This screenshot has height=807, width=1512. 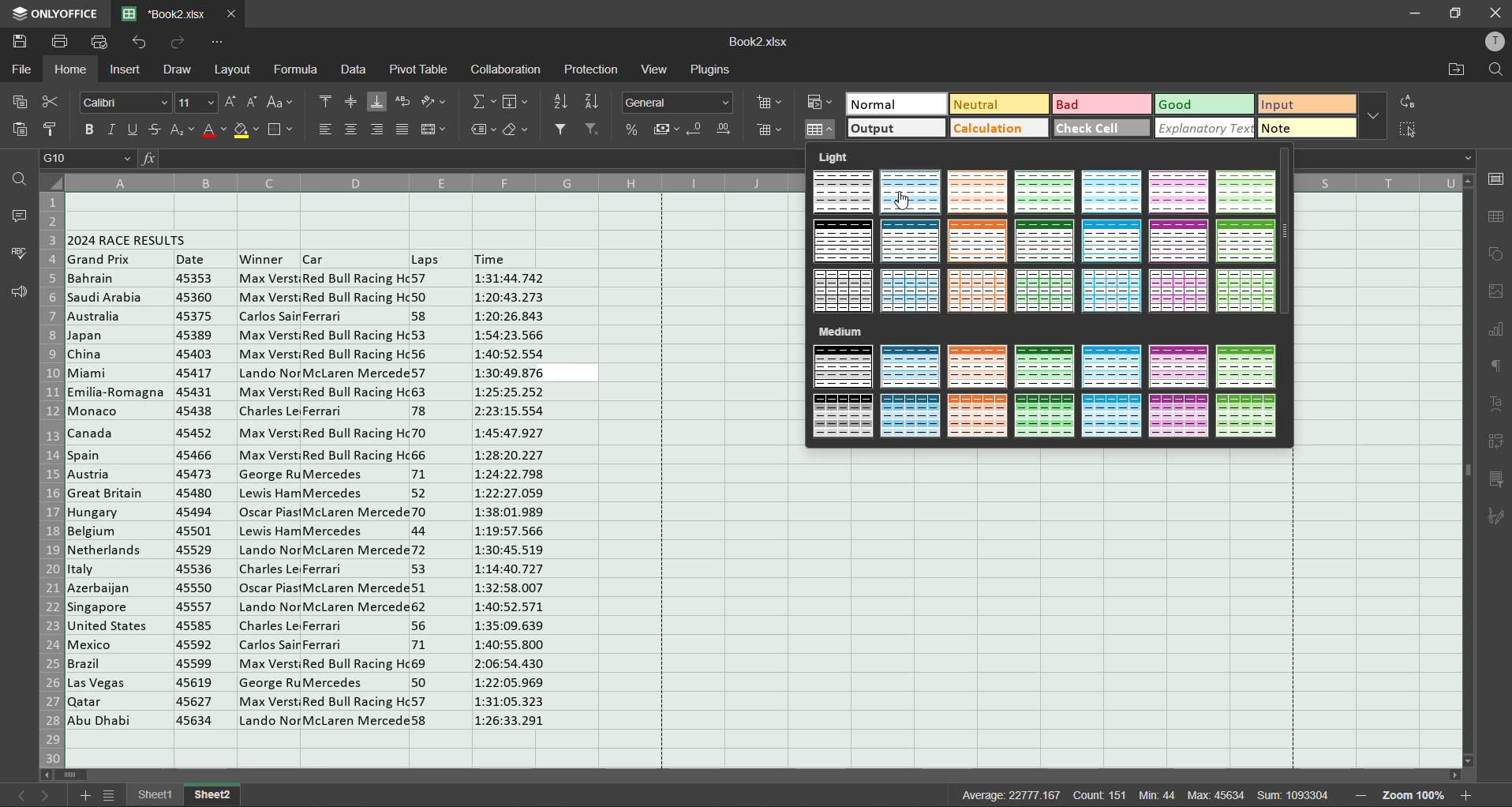 I want to click on laps, so click(x=430, y=500).